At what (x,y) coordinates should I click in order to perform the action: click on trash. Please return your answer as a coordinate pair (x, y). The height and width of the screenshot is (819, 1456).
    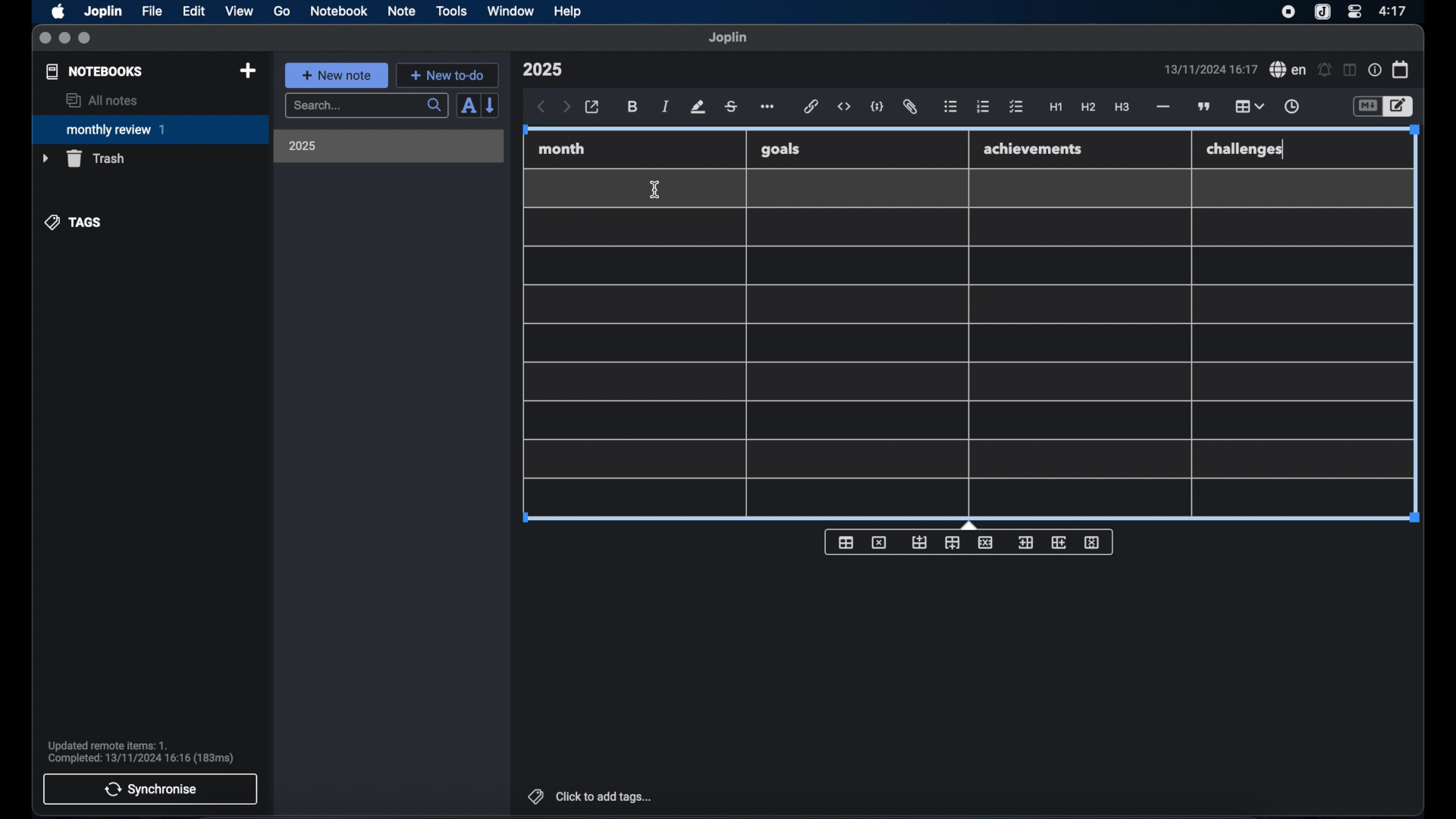
    Looking at the image, I should click on (83, 158).